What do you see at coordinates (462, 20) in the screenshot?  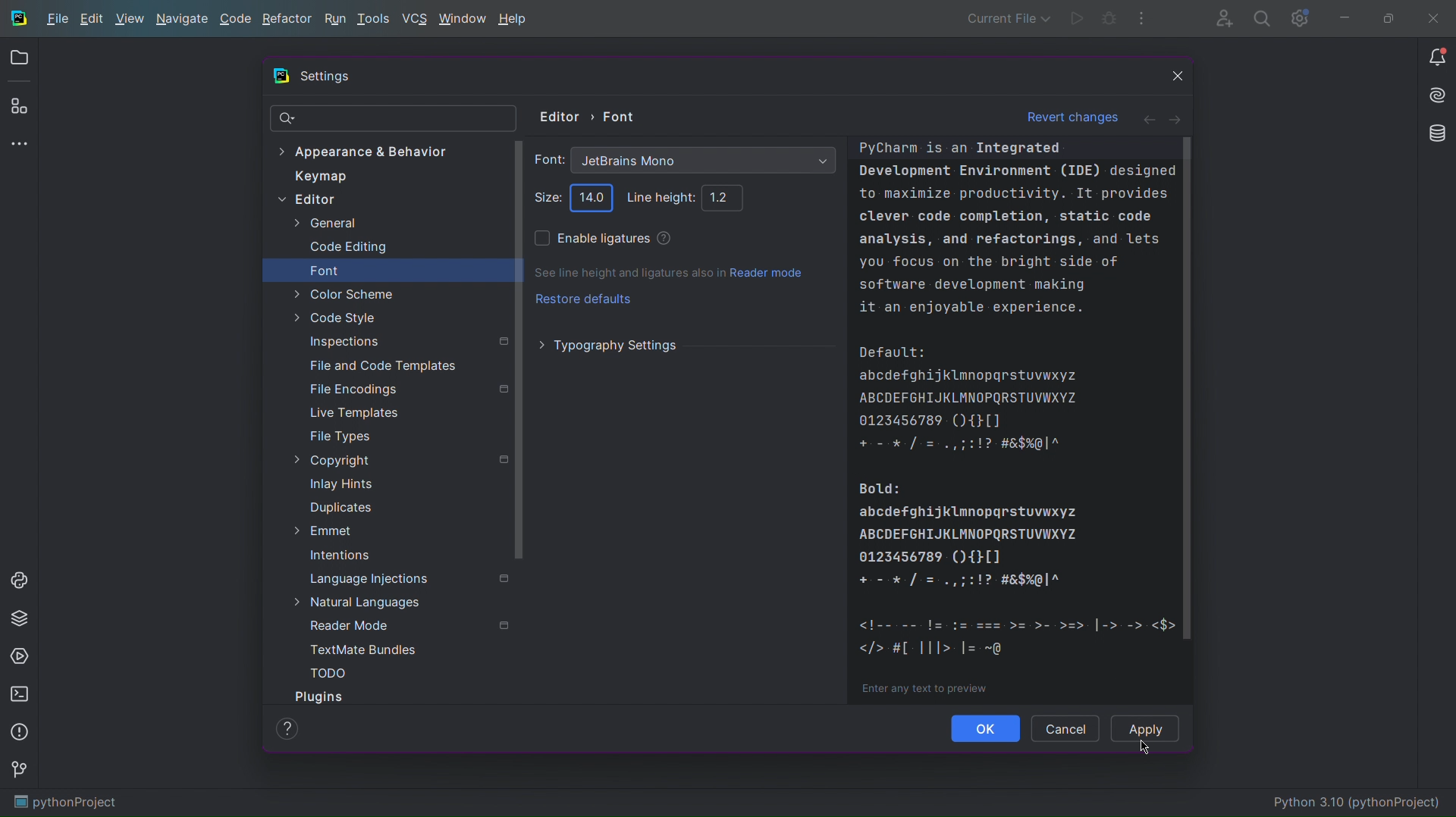 I see `Window` at bounding box center [462, 20].